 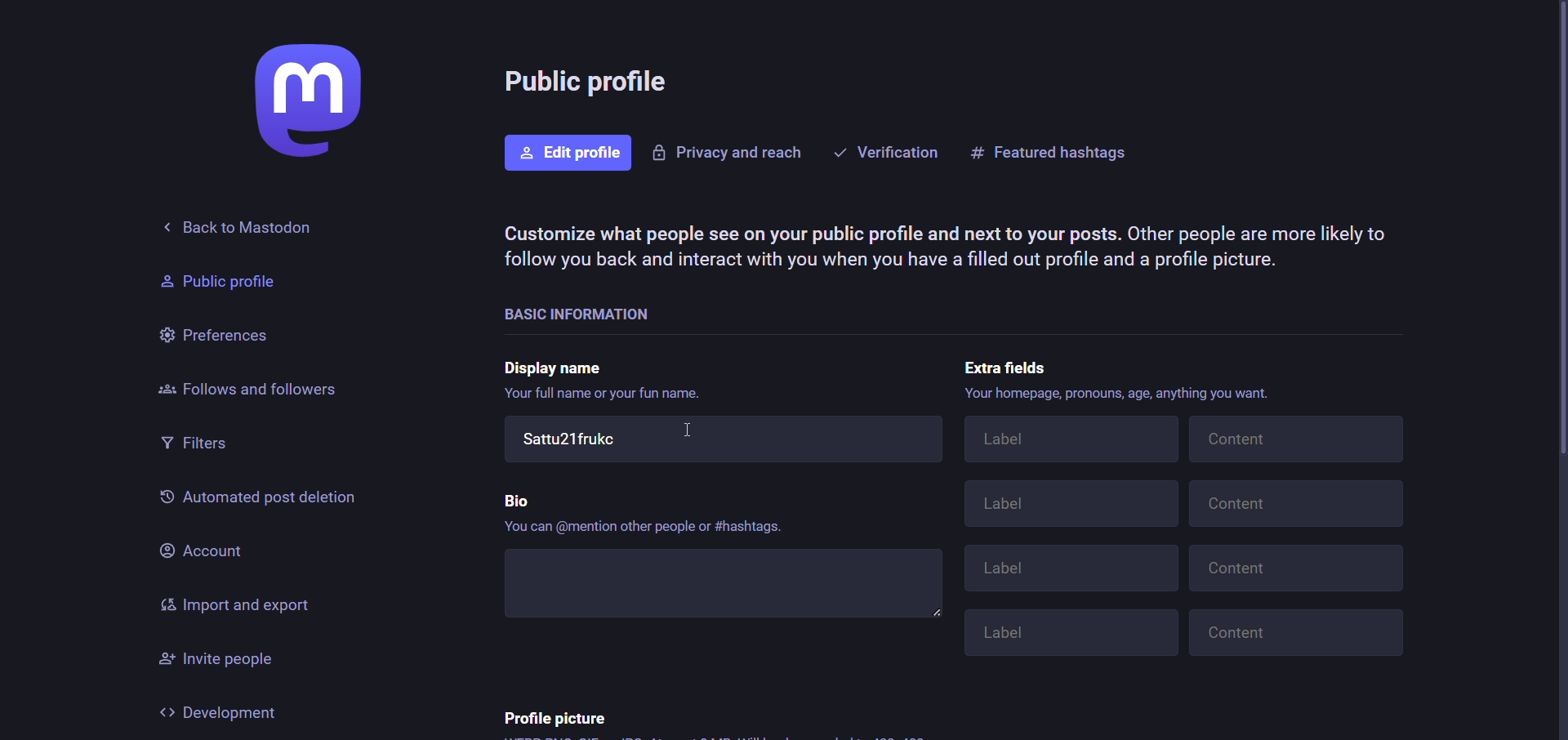 What do you see at coordinates (249, 387) in the screenshot?
I see `followers and follows` at bounding box center [249, 387].